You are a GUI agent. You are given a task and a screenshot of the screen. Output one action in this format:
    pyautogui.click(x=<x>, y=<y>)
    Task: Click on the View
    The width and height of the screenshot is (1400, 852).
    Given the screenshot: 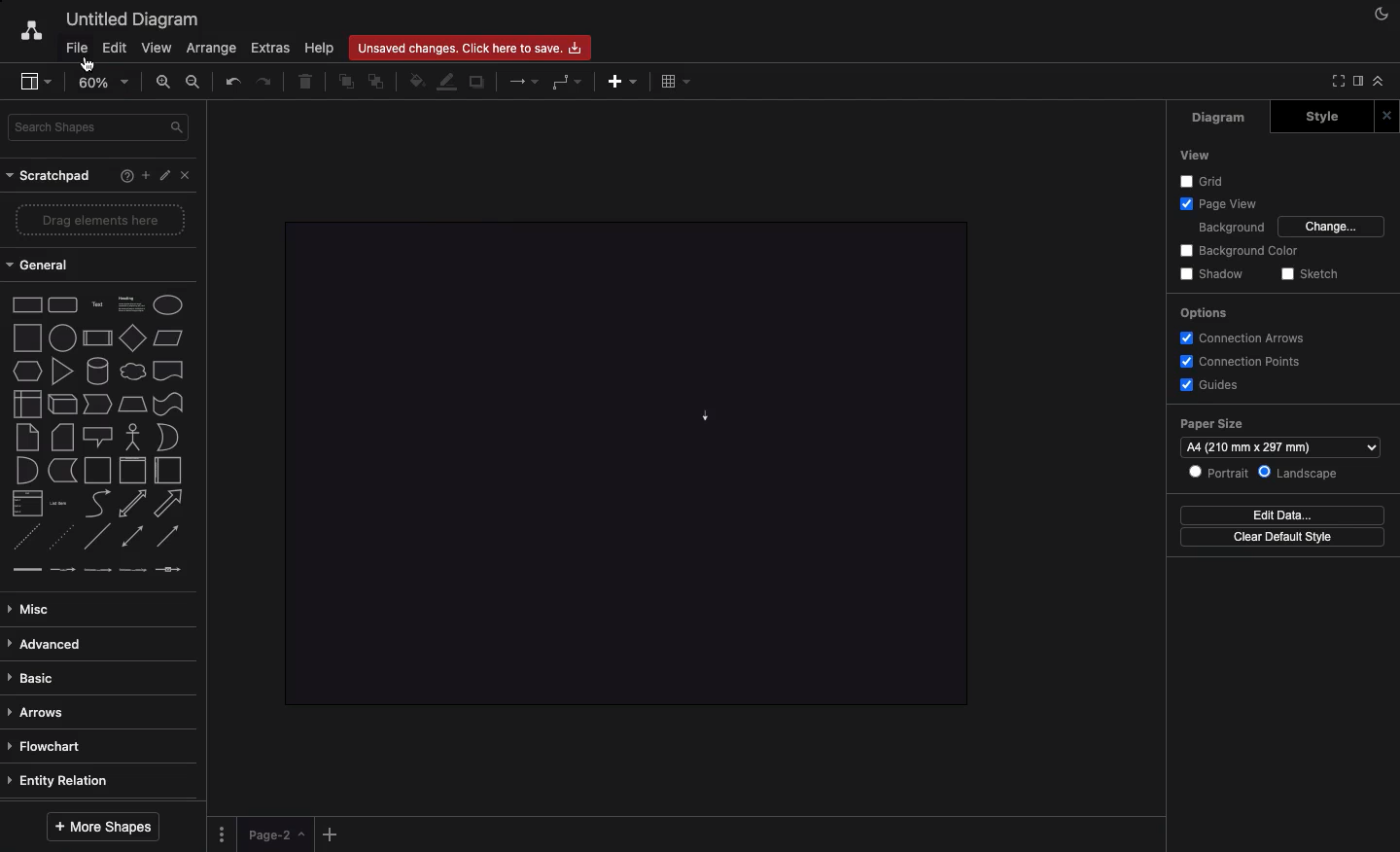 What is the action you would take?
    pyautogui.click(x=157, y=47)
    